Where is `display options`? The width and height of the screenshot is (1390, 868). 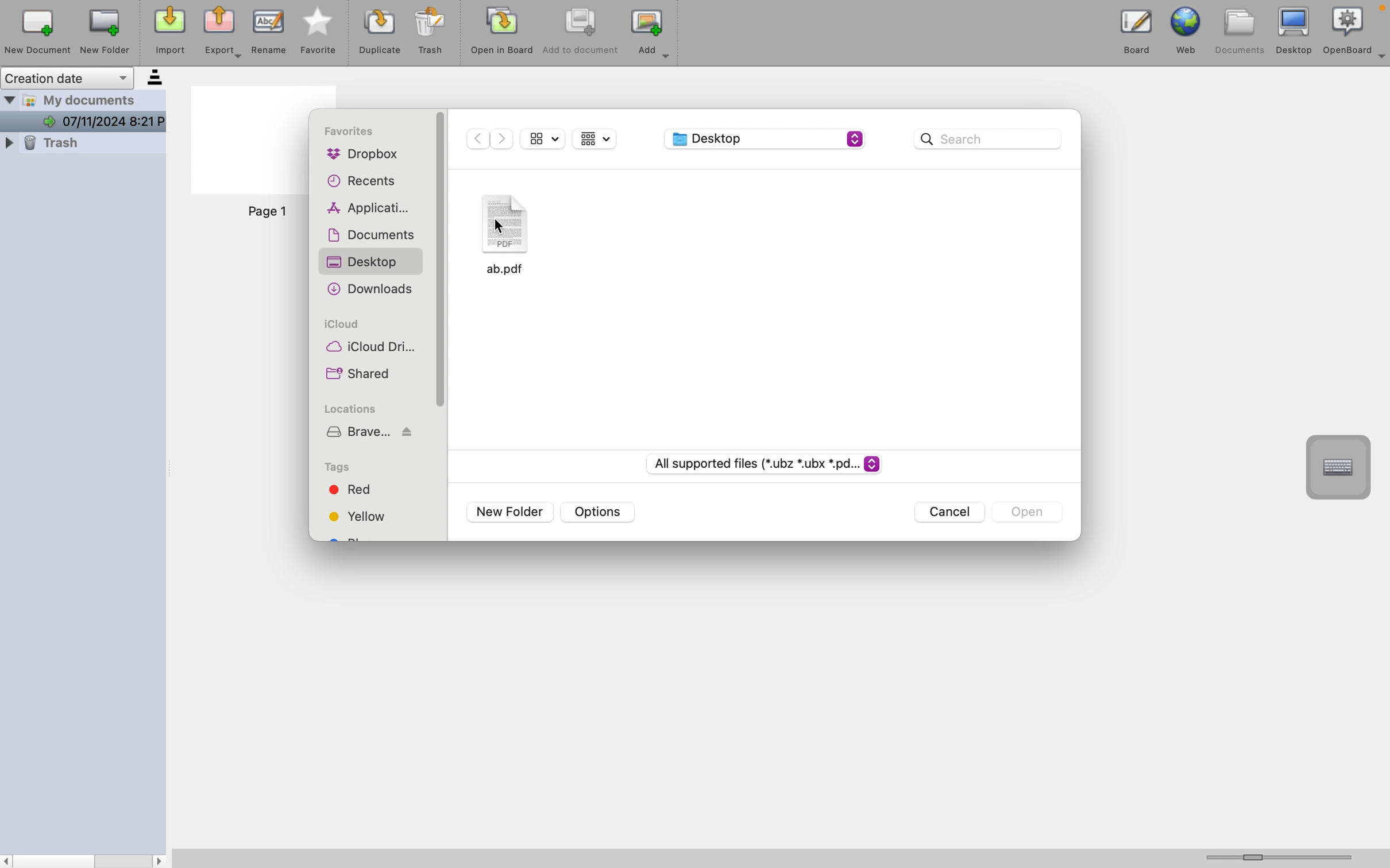
display options is located at coordinates (597, 141).